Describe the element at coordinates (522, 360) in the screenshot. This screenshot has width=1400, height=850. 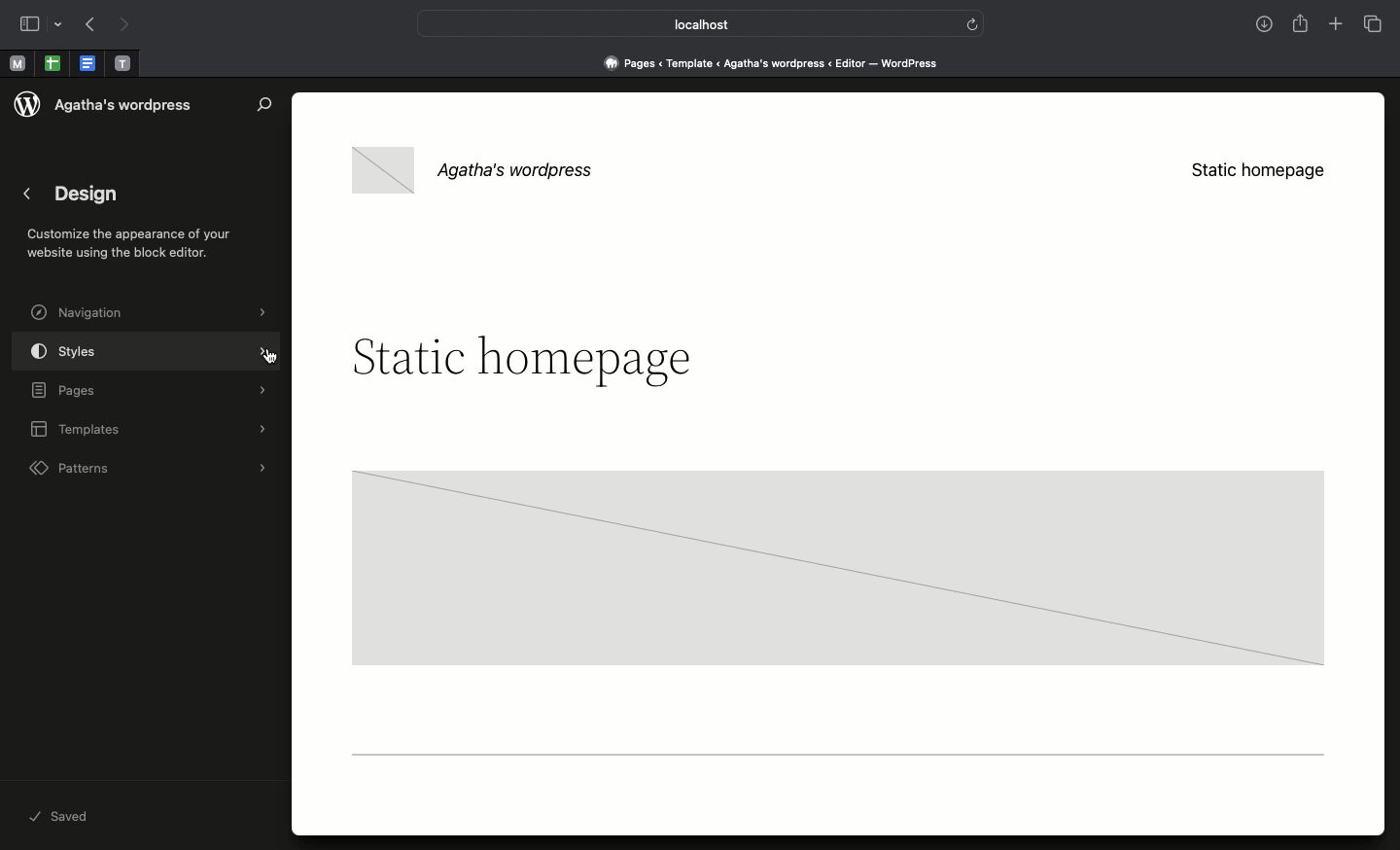
I see `Headline` at that location.